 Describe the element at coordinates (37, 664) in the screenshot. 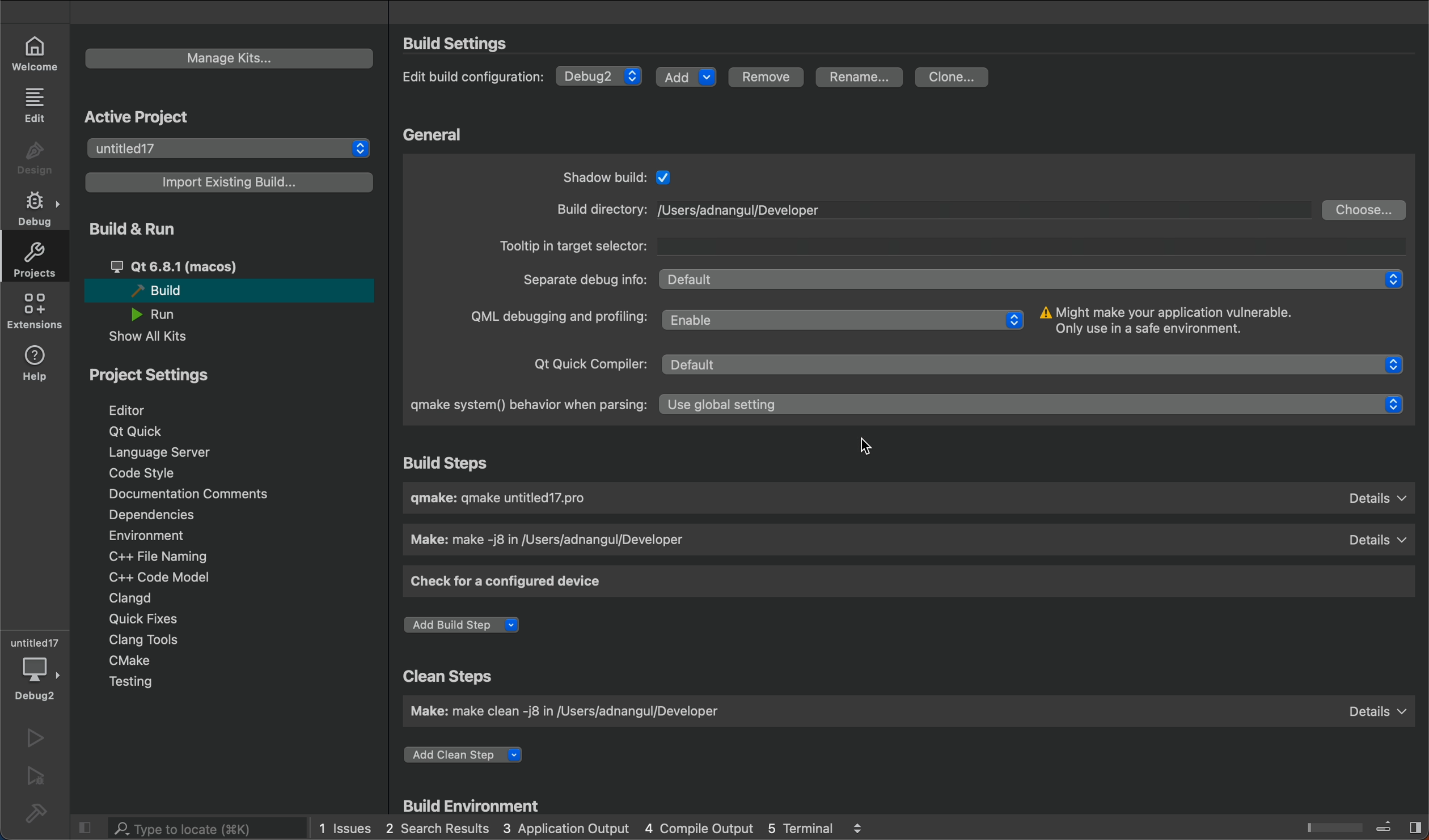

I see `debugger` at that location.